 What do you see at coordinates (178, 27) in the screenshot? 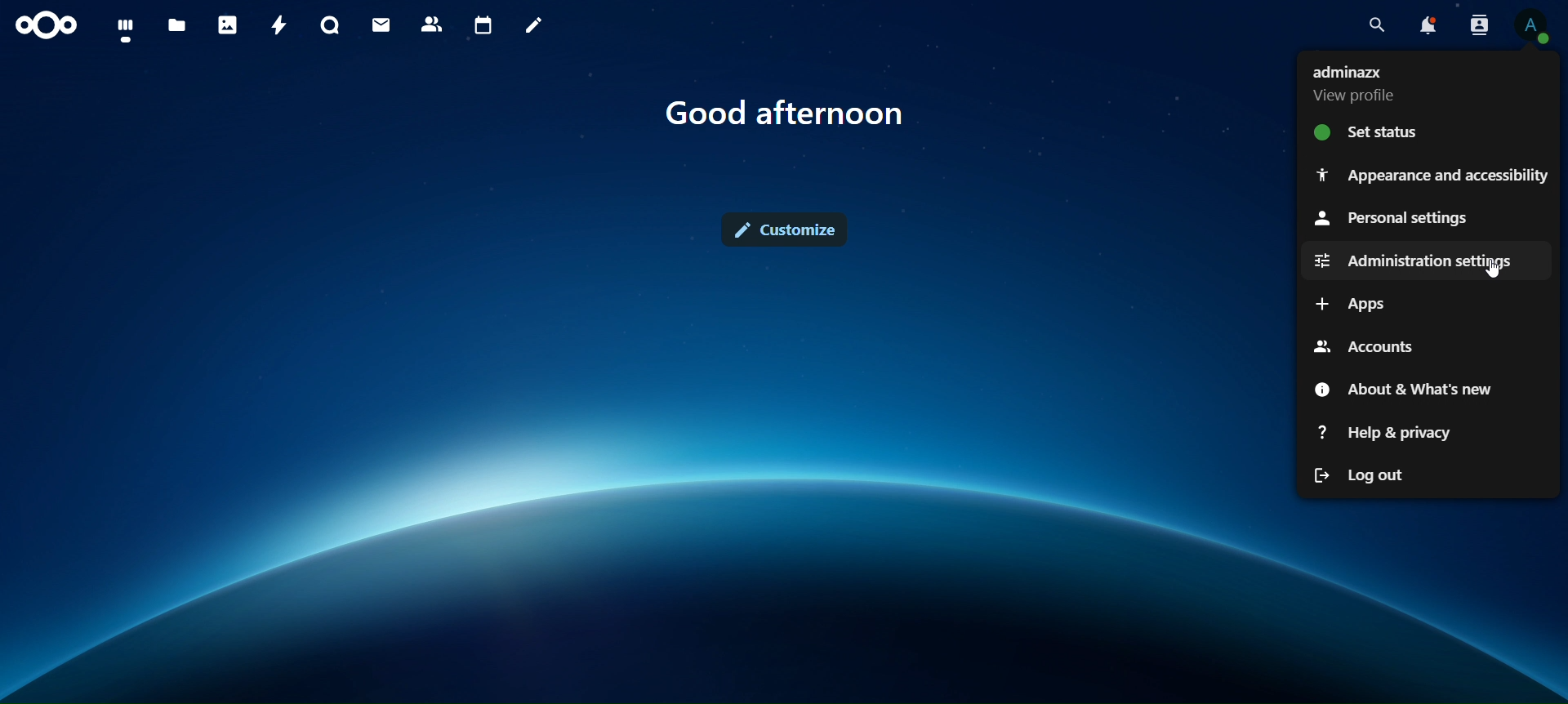
I see `files` at bounding box center [178, 27].